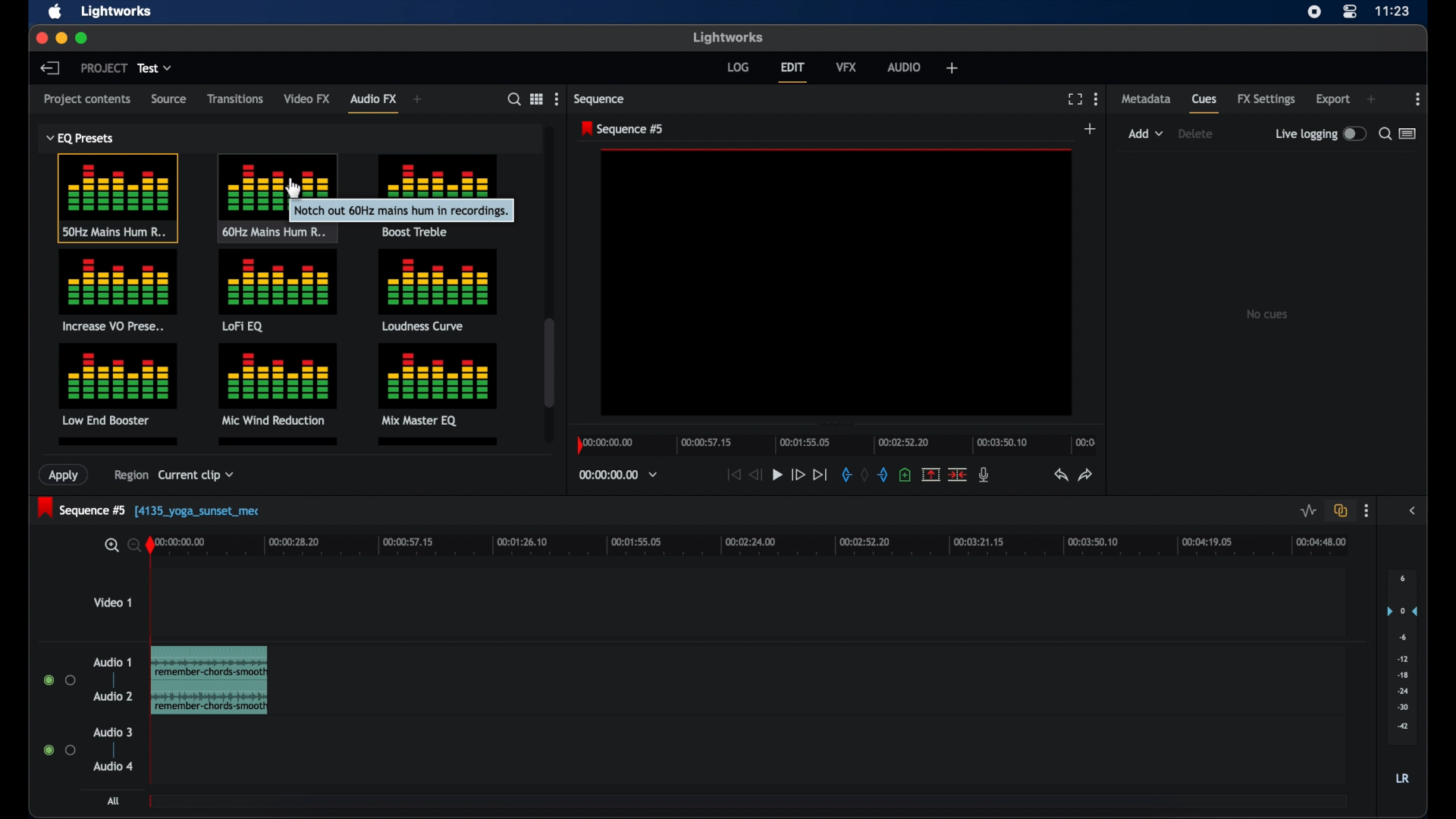 The image size is (1456, 819). What do you see at coordinates (277, 197) in the screenshot?
I see `60hz` at bounding box center [277, 197].